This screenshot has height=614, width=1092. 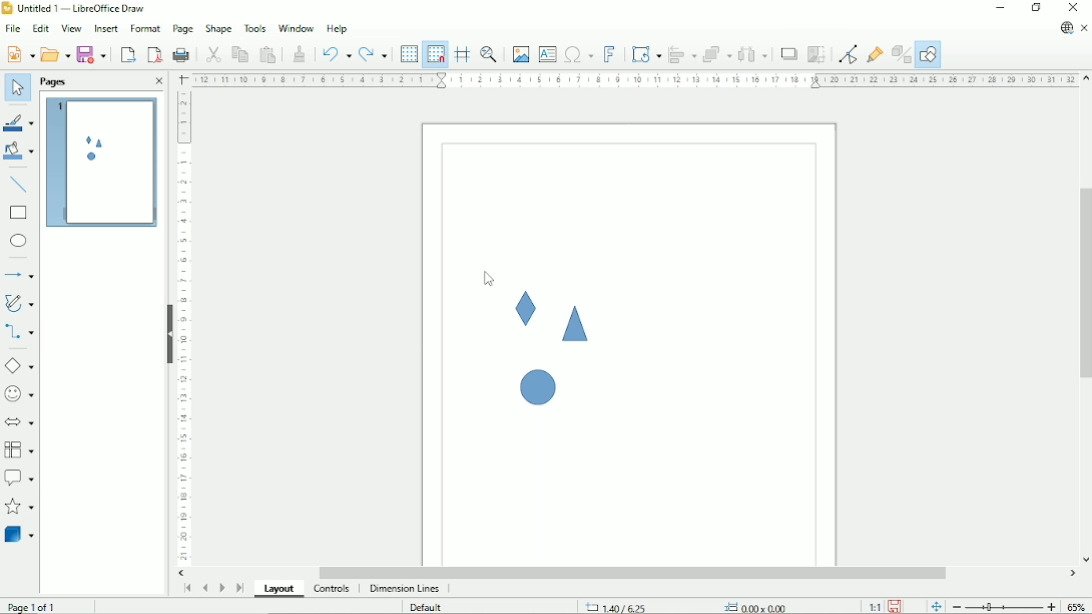 I want to click on Scaling factor, so click(x=873, y=607).